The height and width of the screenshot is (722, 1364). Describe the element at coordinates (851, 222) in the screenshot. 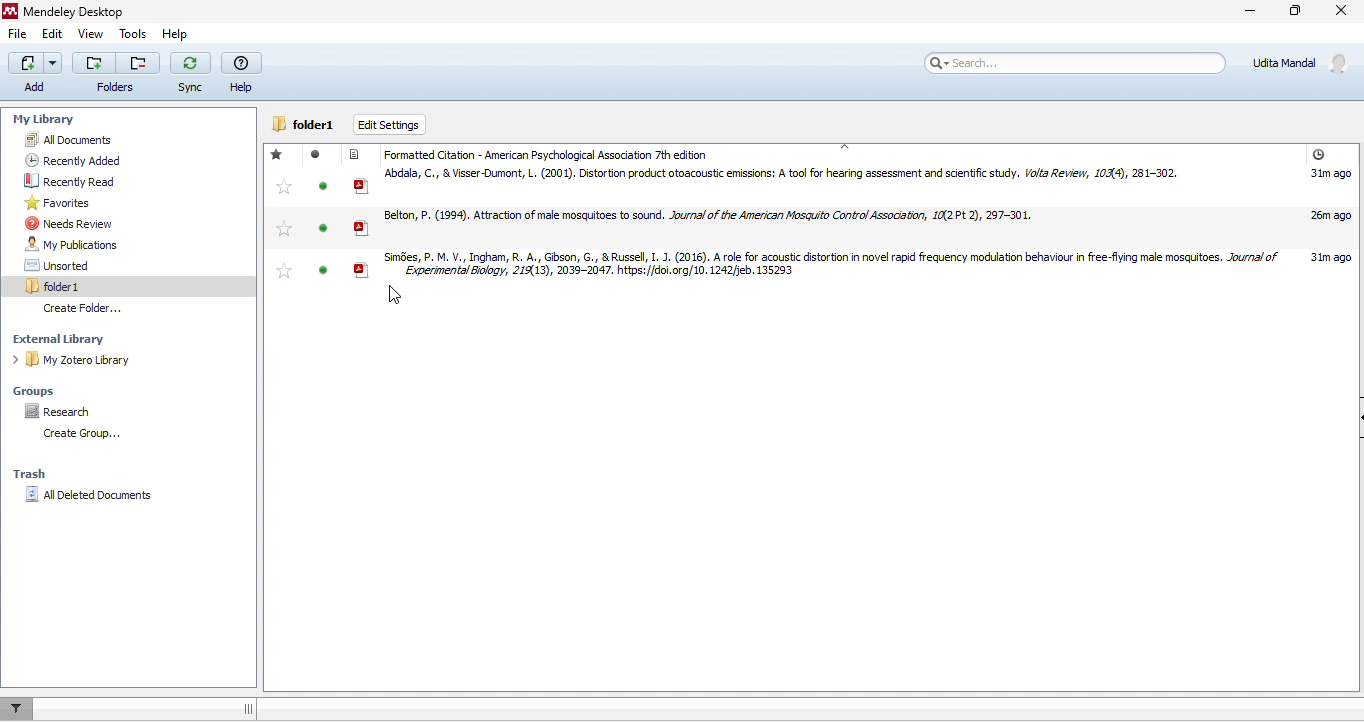

I see `research articles` at that location.